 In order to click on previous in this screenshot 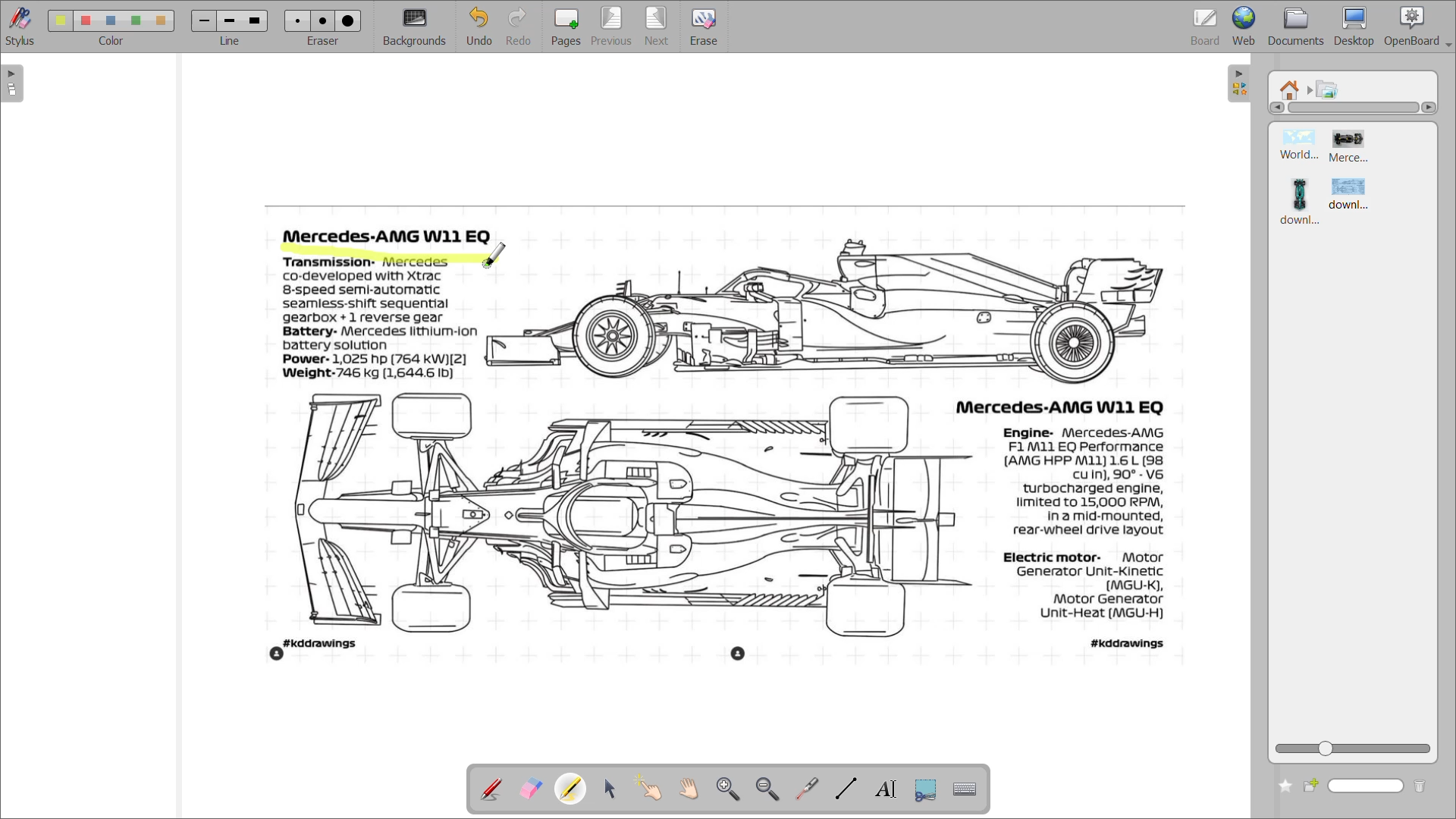, I will do `click(613, 26)`.